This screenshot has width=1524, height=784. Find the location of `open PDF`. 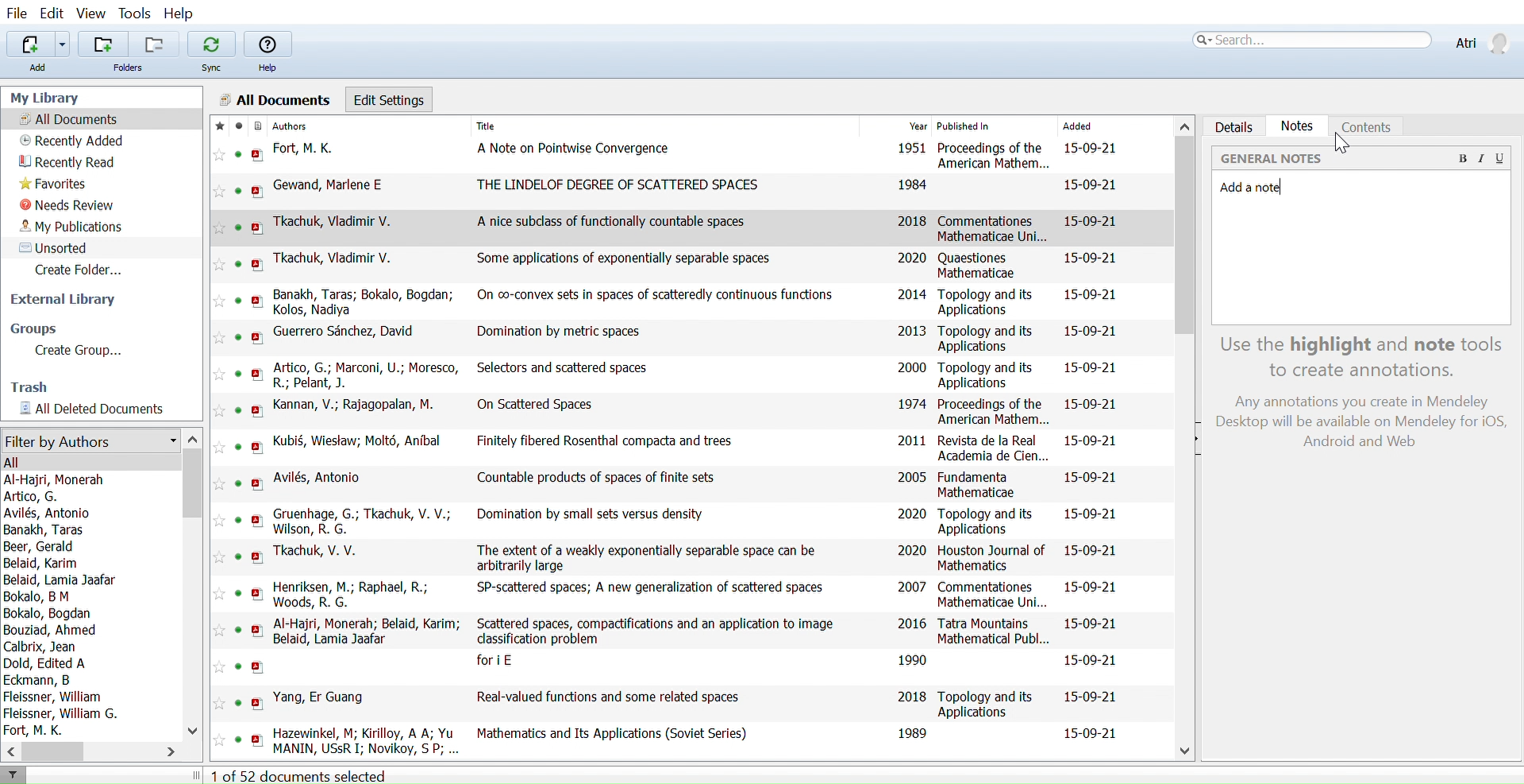

open PDF is located at coordinates (259, 447).